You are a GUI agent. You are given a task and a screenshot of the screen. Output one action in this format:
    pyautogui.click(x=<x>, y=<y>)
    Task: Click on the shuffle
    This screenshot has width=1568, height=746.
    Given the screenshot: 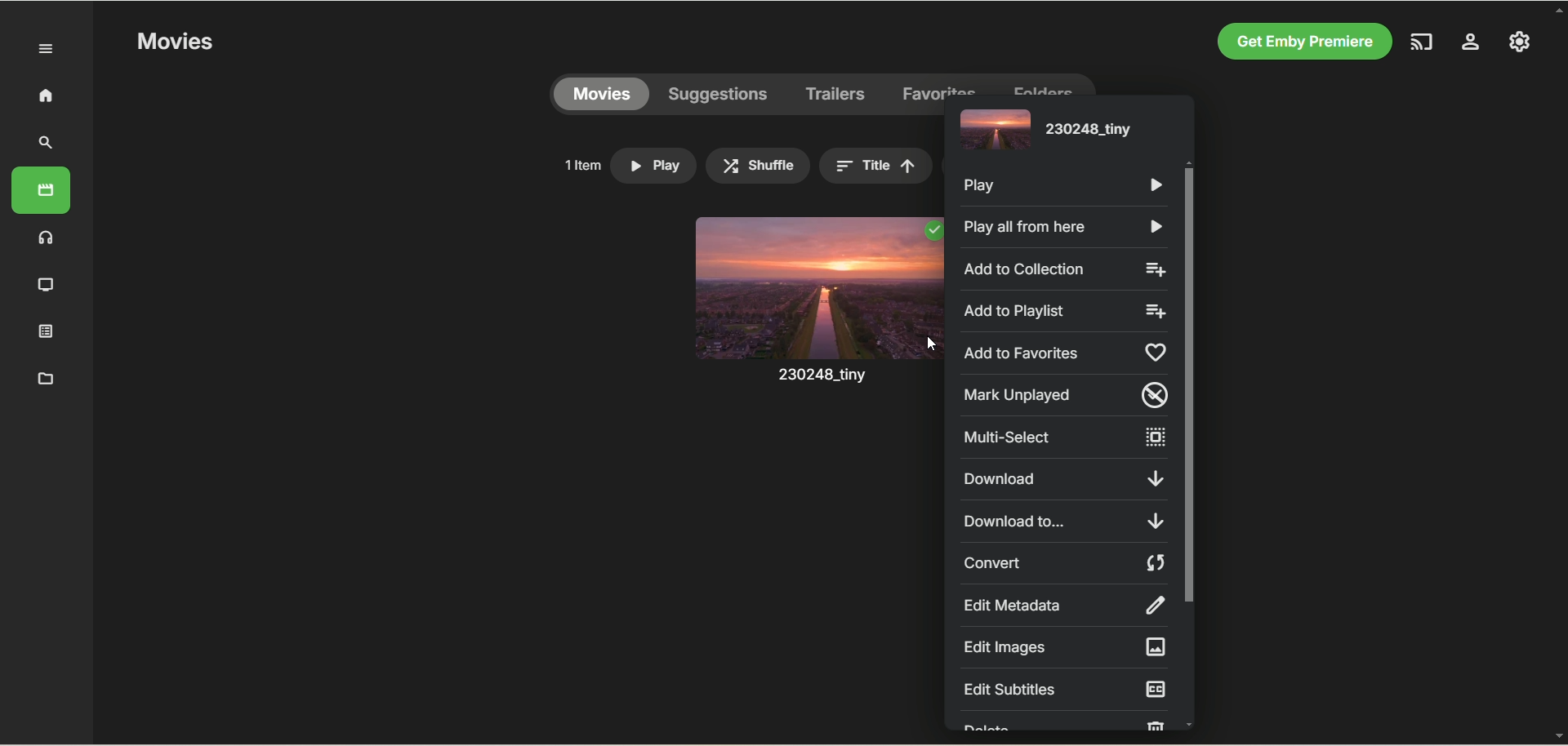 What is the action you would take?
    pyautogui.click(x=758, y=166)
    